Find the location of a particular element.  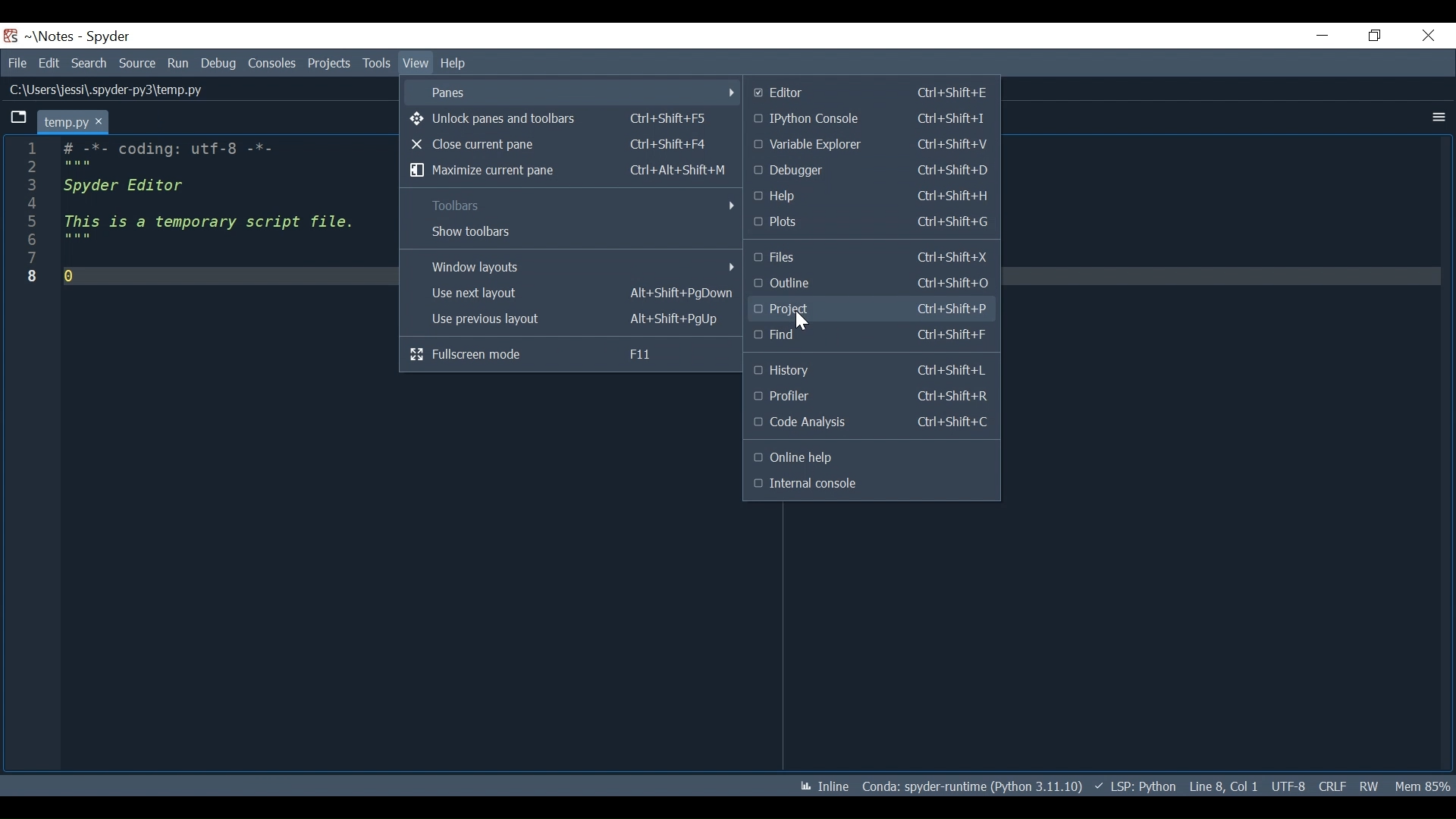

Project Name is located at coordinates (51, 36).